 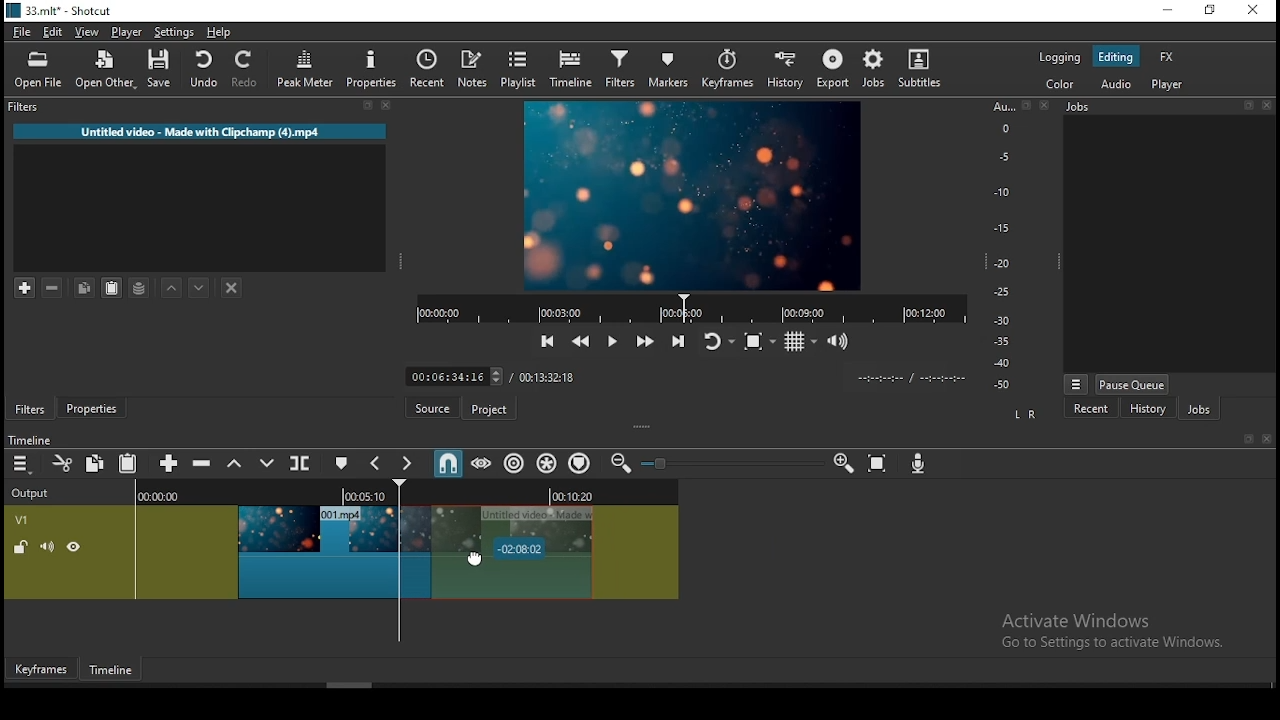 I want to click on timeline, so click(x=571, y=70).